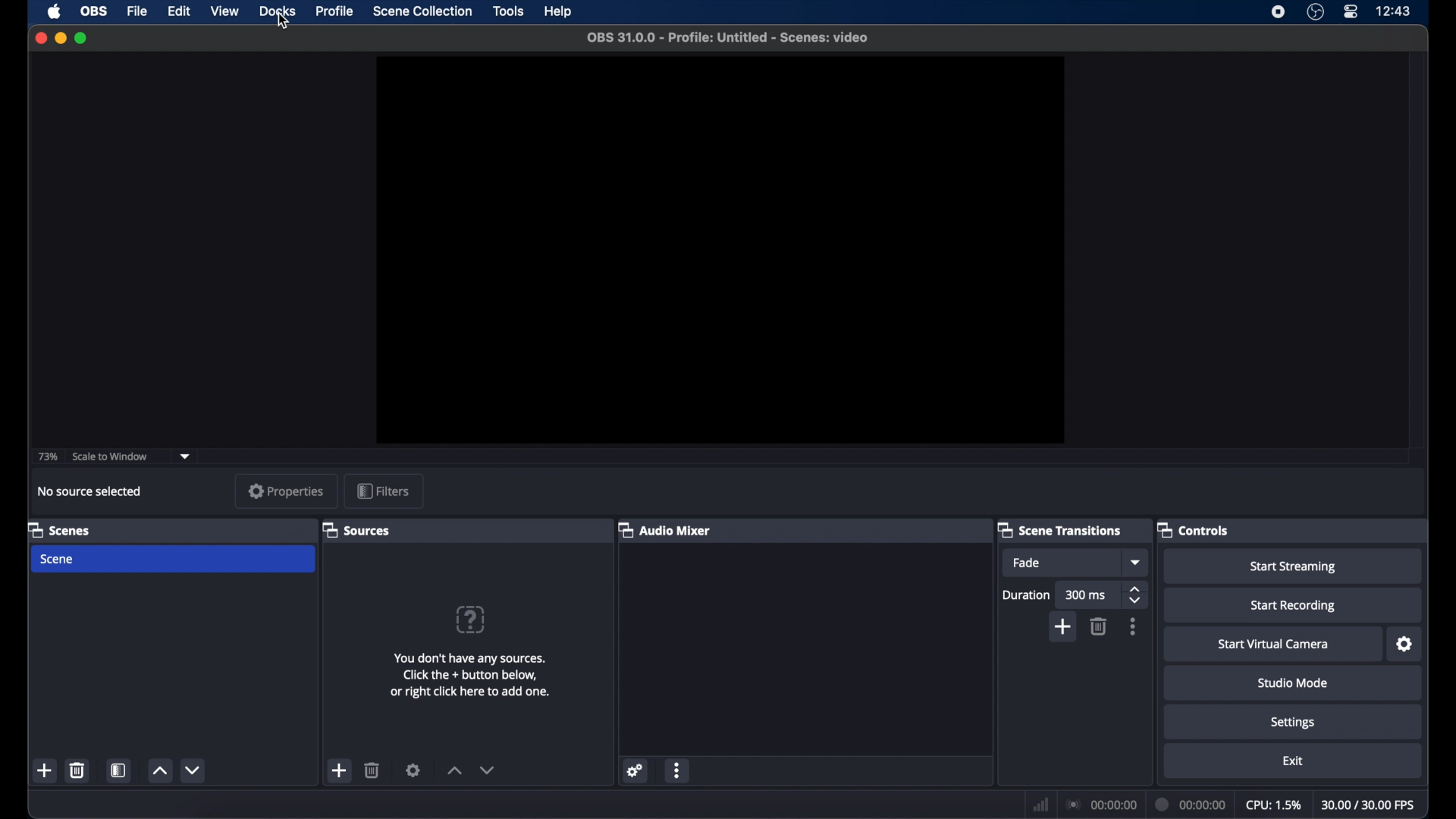  I want to click on control center, so click(1351, 11).